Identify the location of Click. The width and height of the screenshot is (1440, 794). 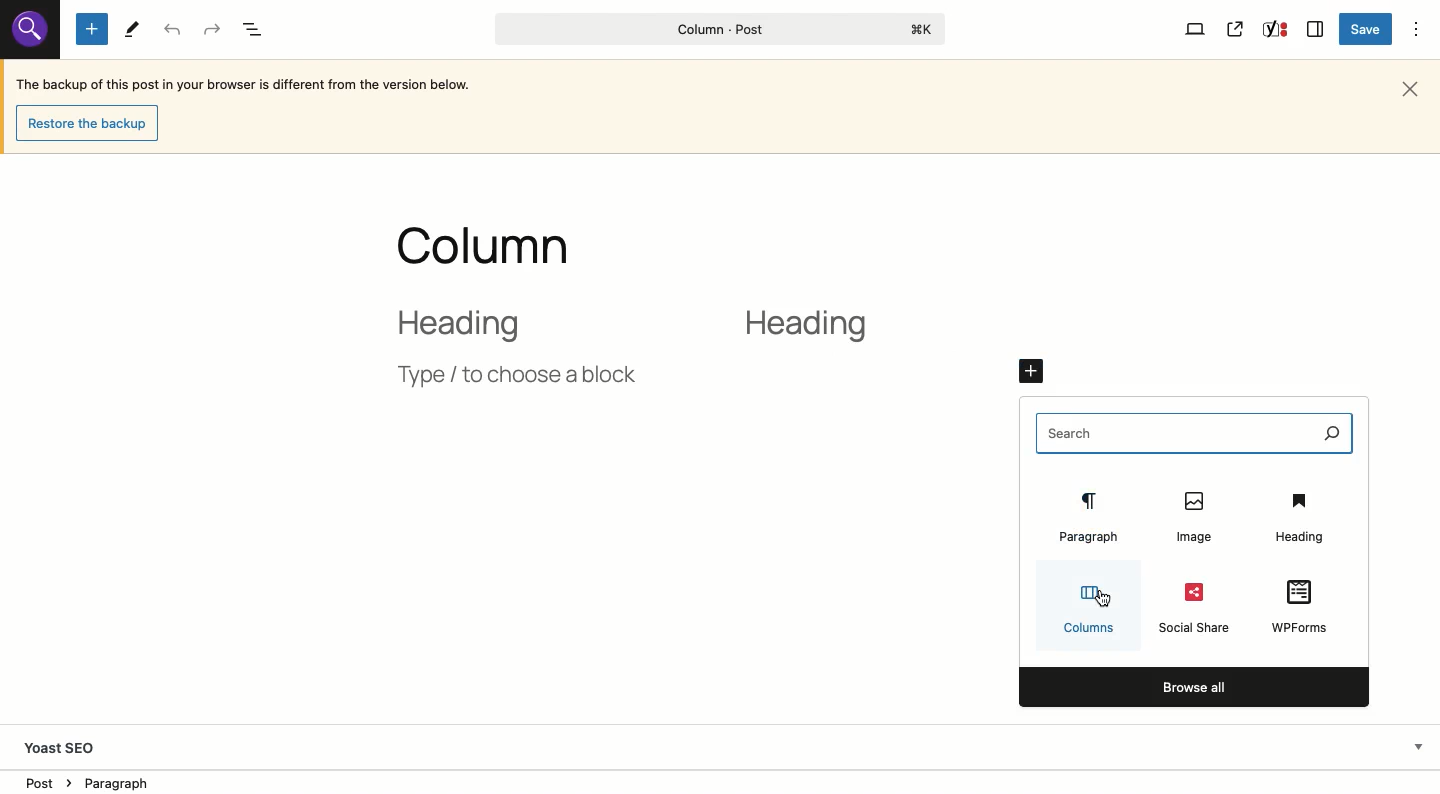
(1031, 371).